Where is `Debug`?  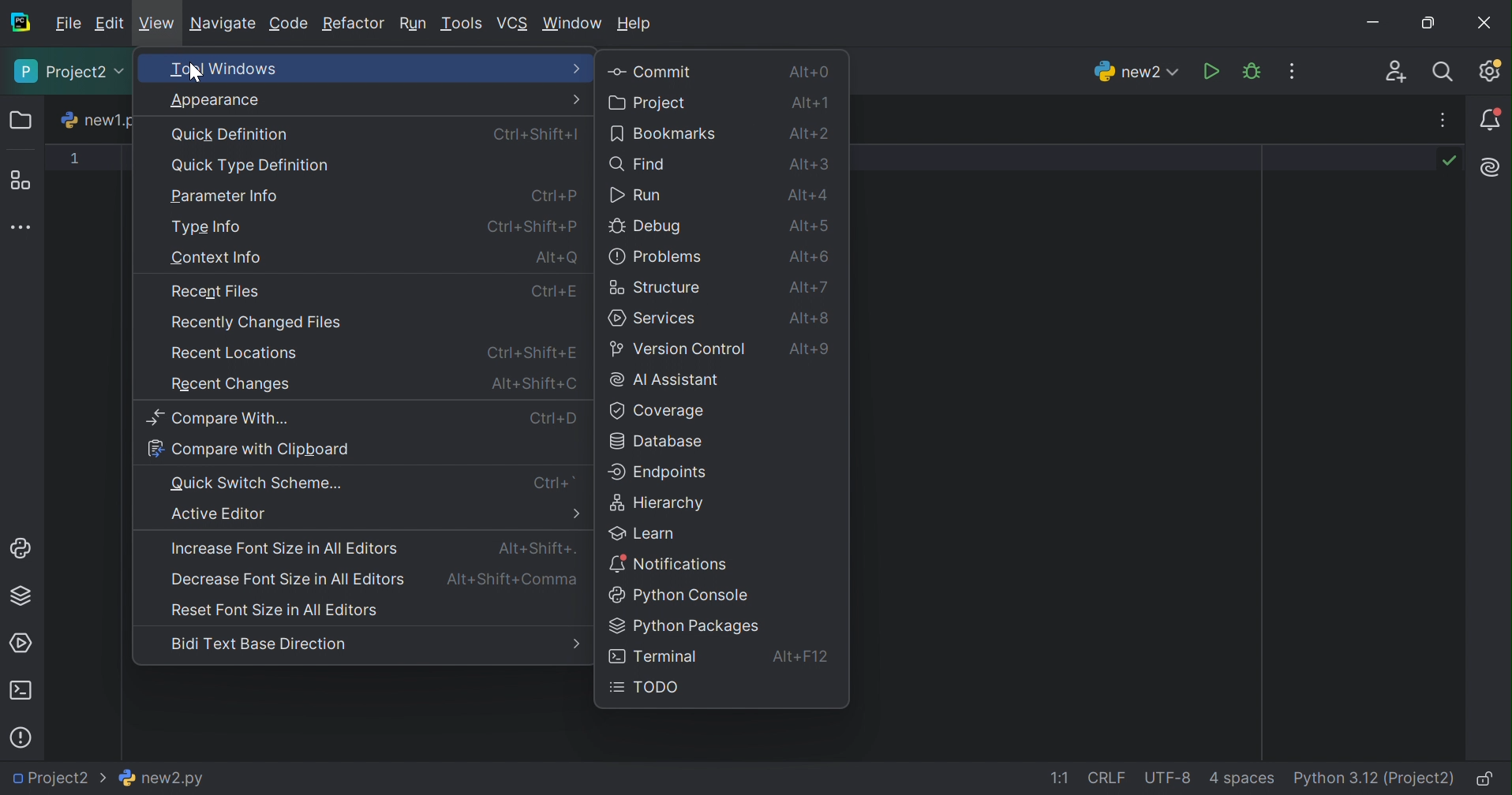
Debug is located at coordinates (1254, 71).